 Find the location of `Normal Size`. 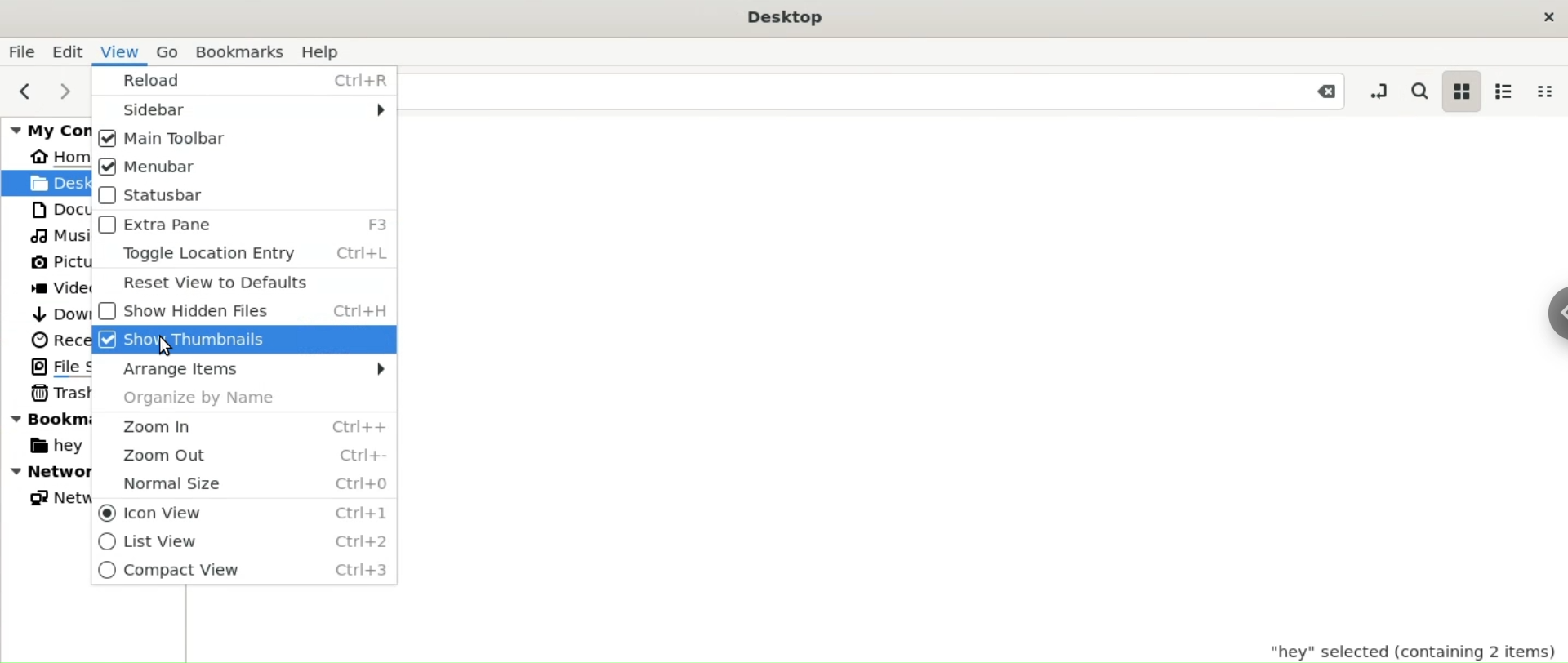

Normal Size is located at coordinates (242, 482).